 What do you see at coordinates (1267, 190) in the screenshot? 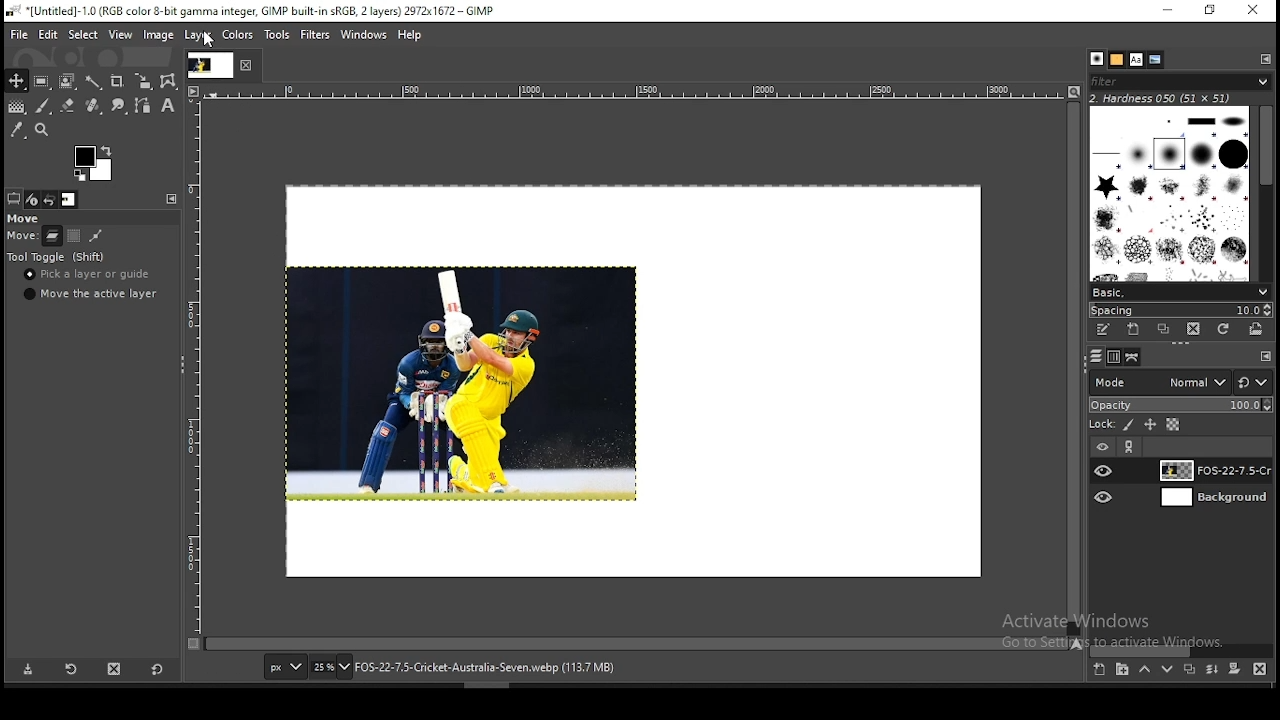
I see `Scroll bar` at bounding box center [1267, 190].